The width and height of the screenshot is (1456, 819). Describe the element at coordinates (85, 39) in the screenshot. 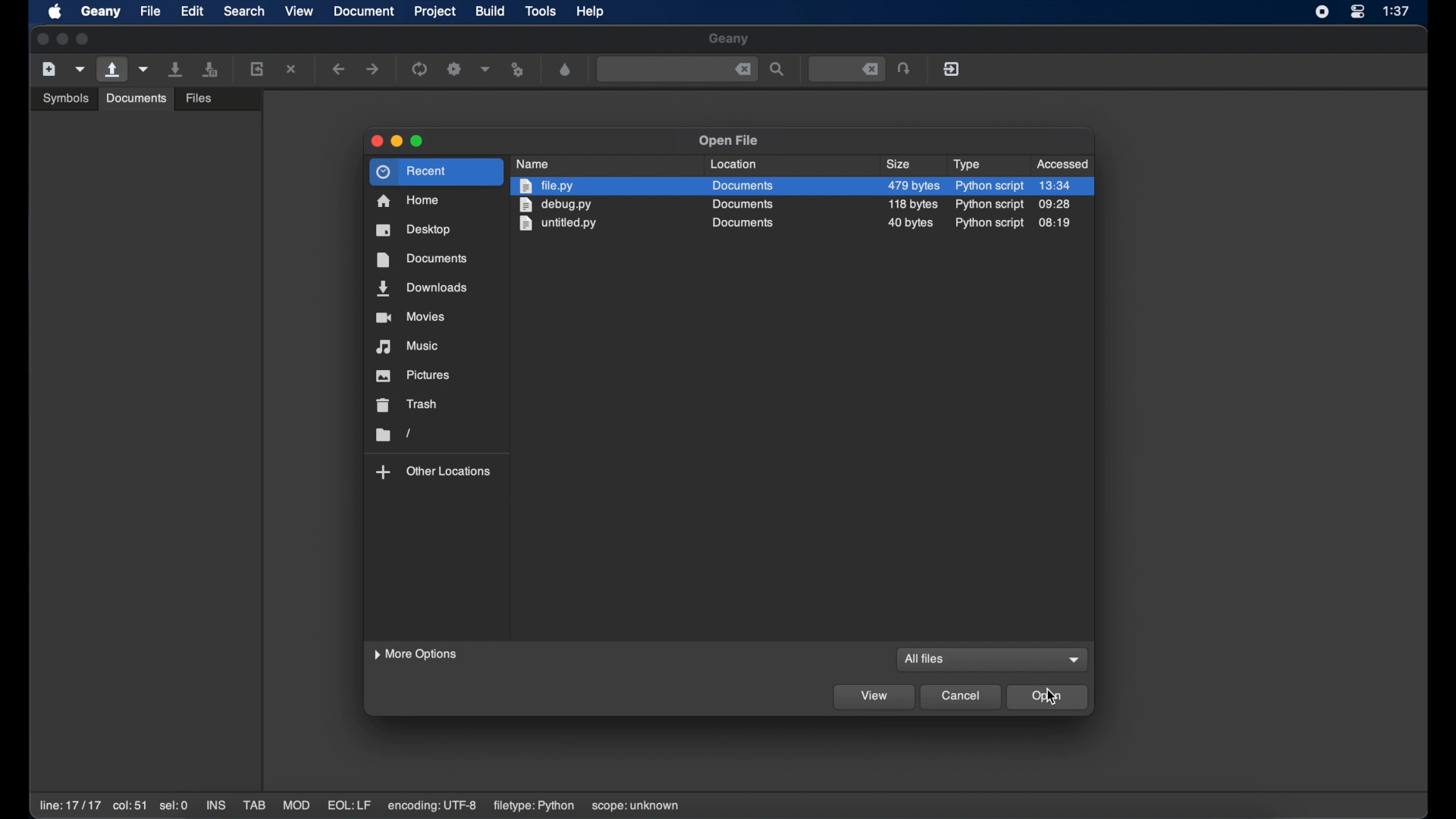

I see `maximize` at that location.